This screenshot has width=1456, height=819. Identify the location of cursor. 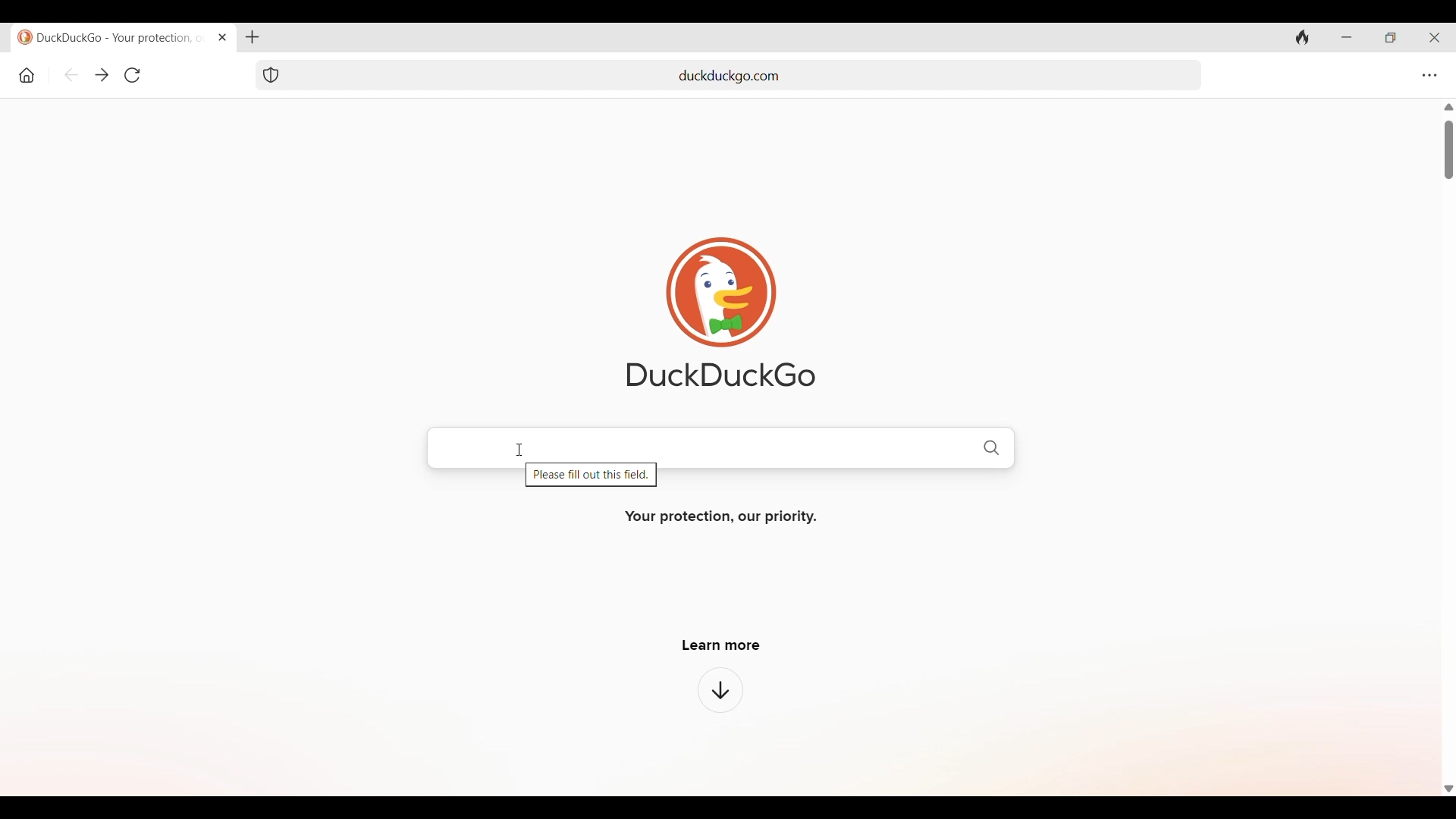
(520, 447).